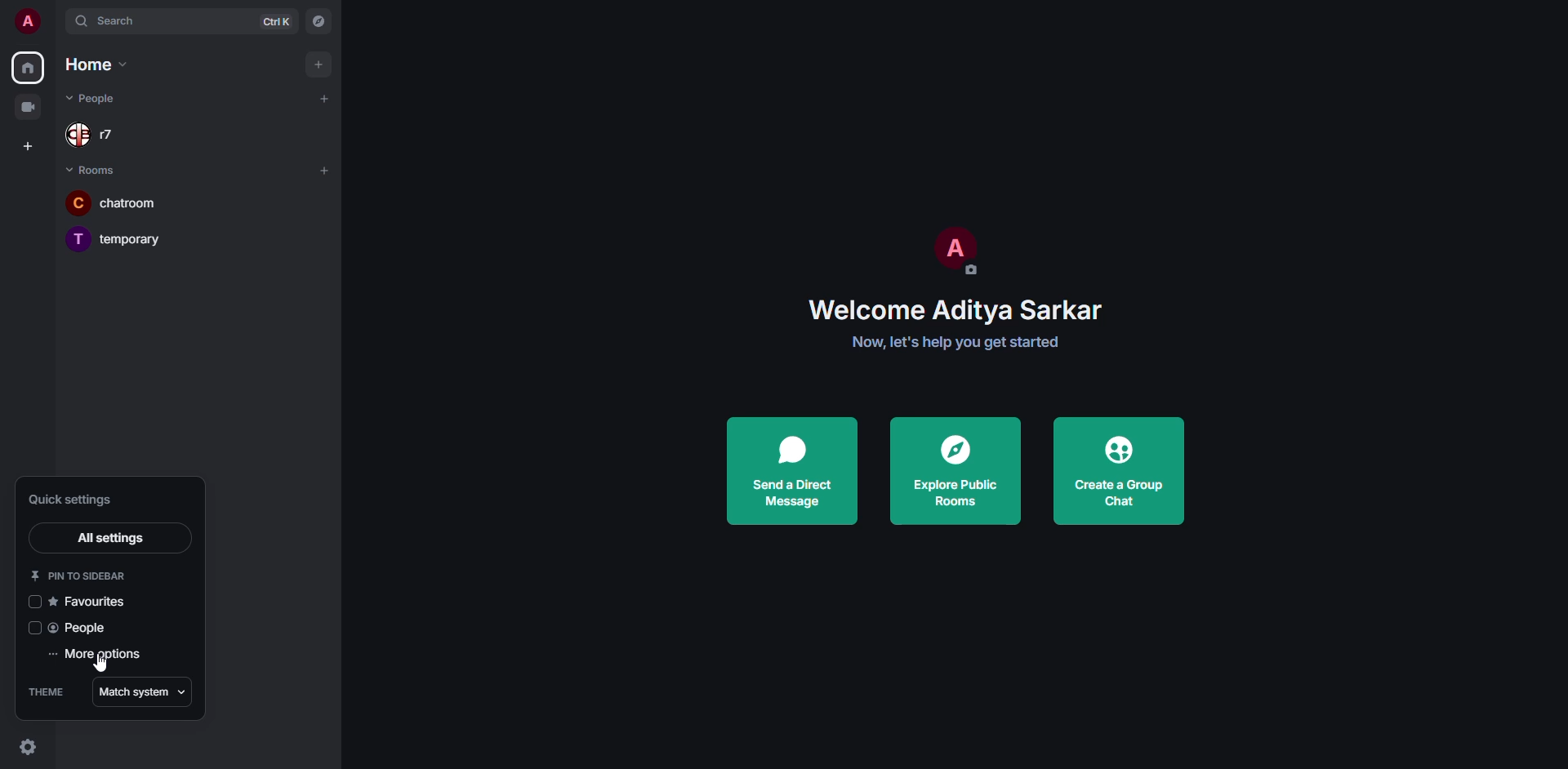 The height and width of the screenshot is (769, 1568). I want to click on add, so click(326, 98).